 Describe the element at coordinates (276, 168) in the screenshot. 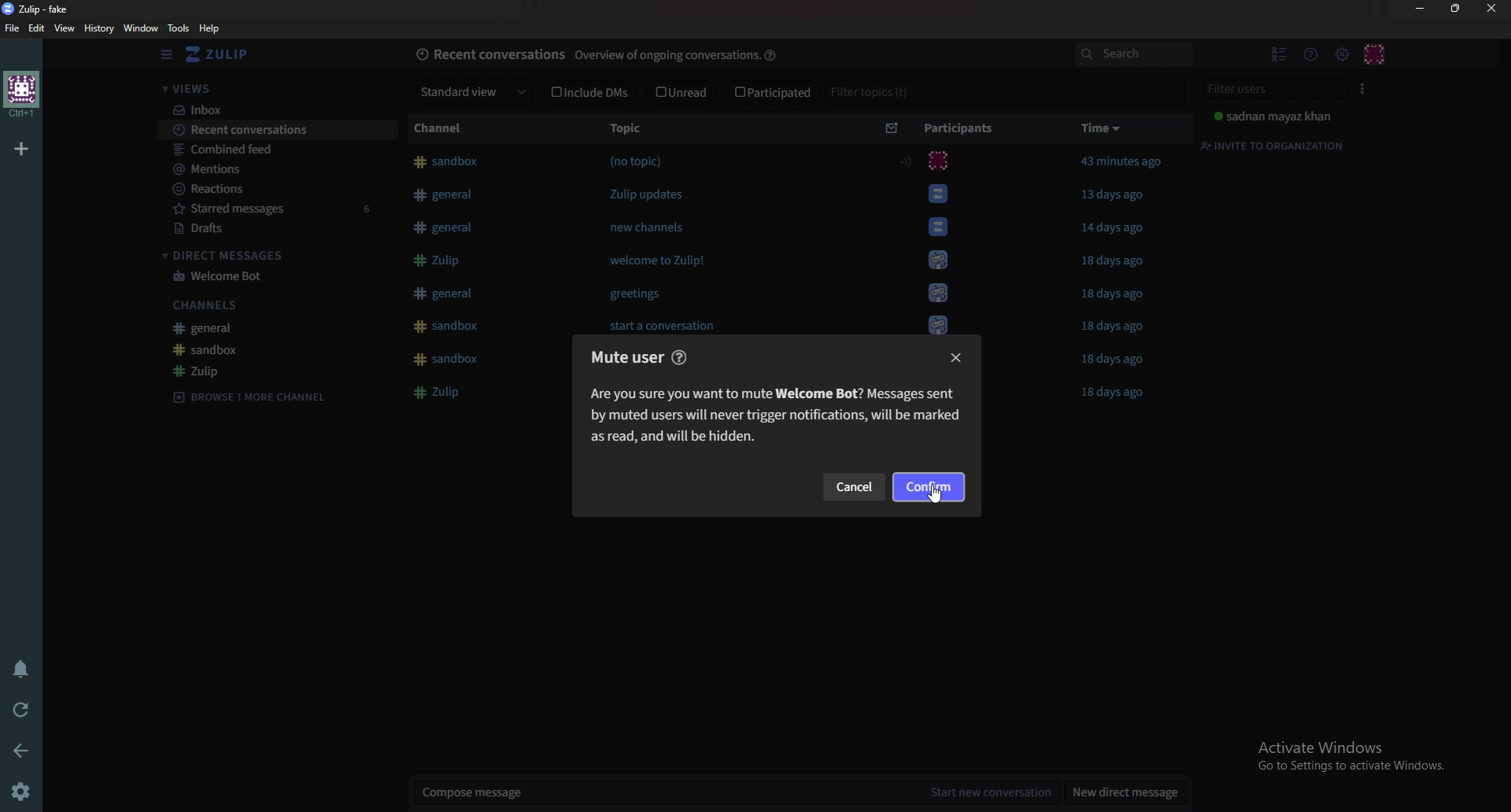

I see `Mentions` at that location.